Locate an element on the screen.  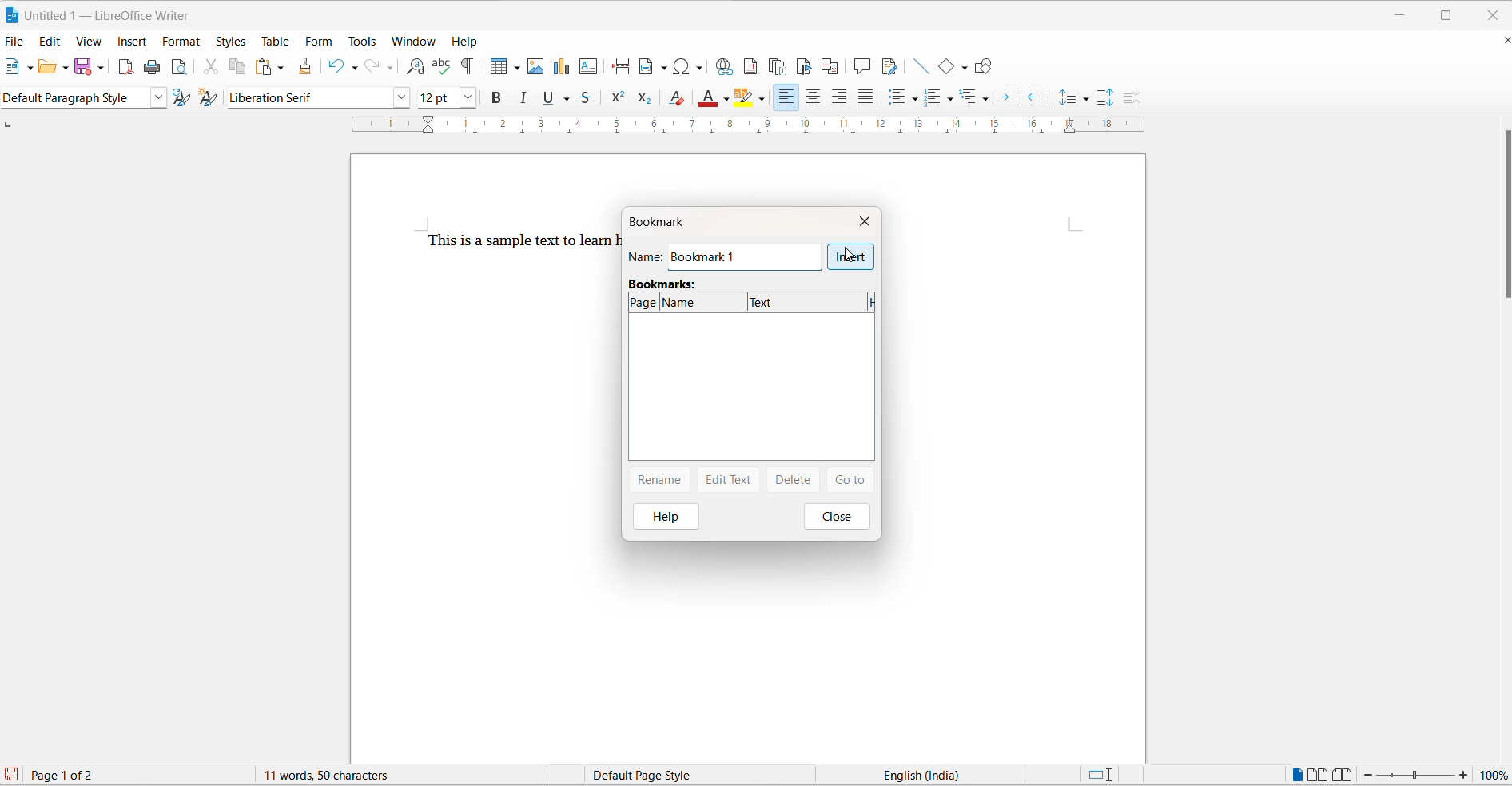
new file options is located at coordinates (30, 69).